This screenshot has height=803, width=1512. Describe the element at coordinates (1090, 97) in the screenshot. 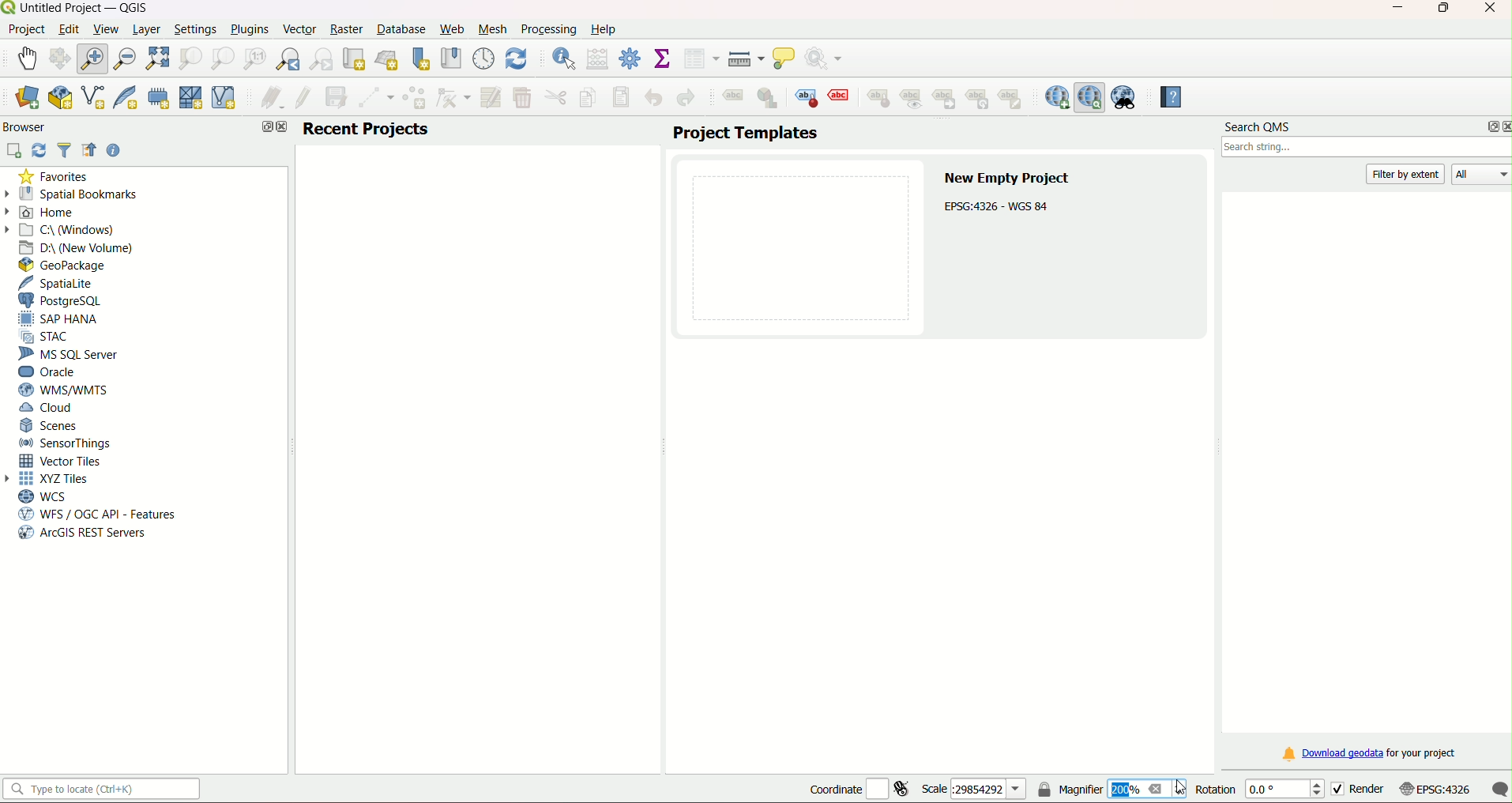

I see `search QMS` at that location.